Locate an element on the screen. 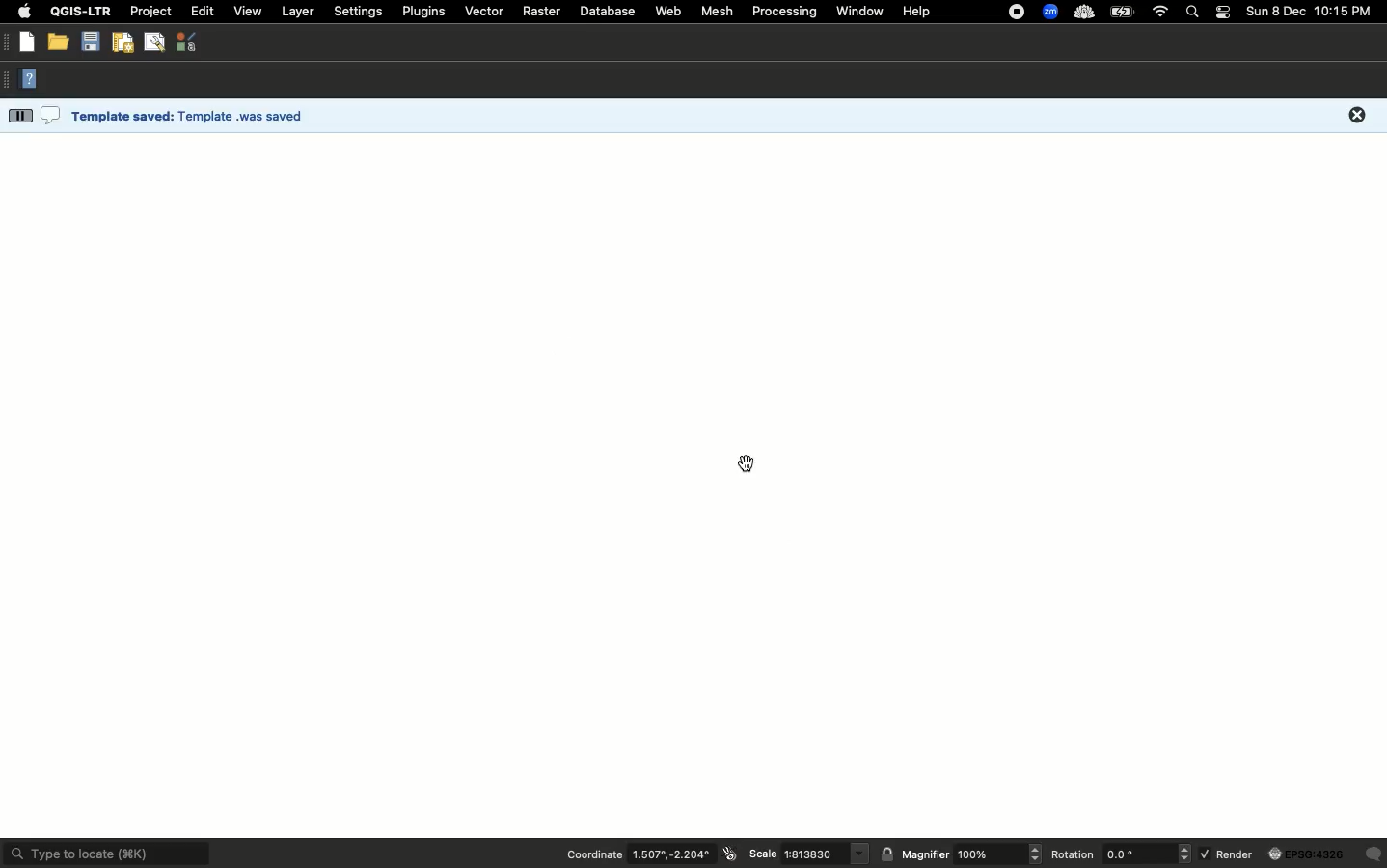 This screenshot has width=1387, height=868. magnifier is located at coordinates (999, 854).